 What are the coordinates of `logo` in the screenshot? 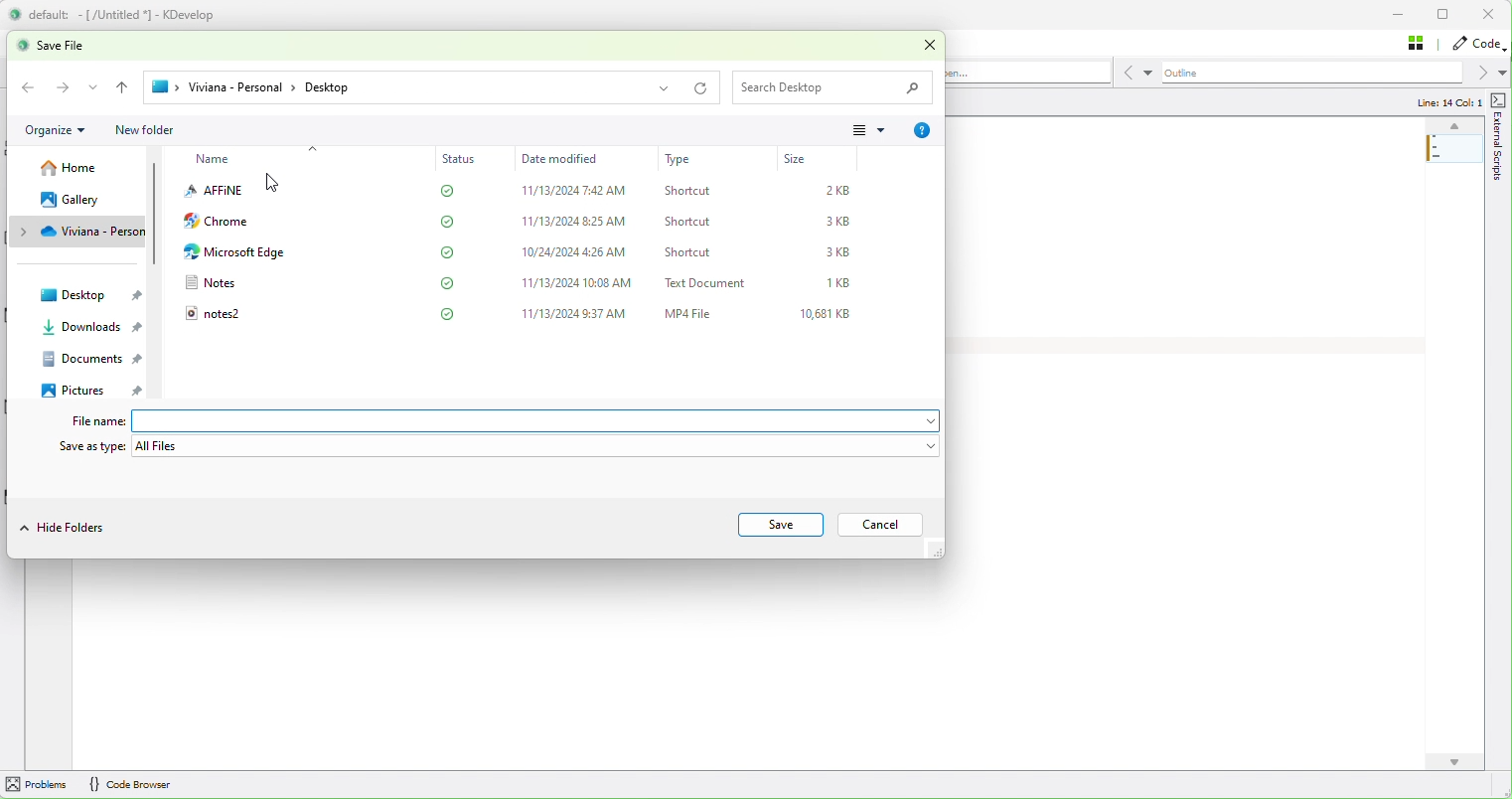 It's located at (20, 47).